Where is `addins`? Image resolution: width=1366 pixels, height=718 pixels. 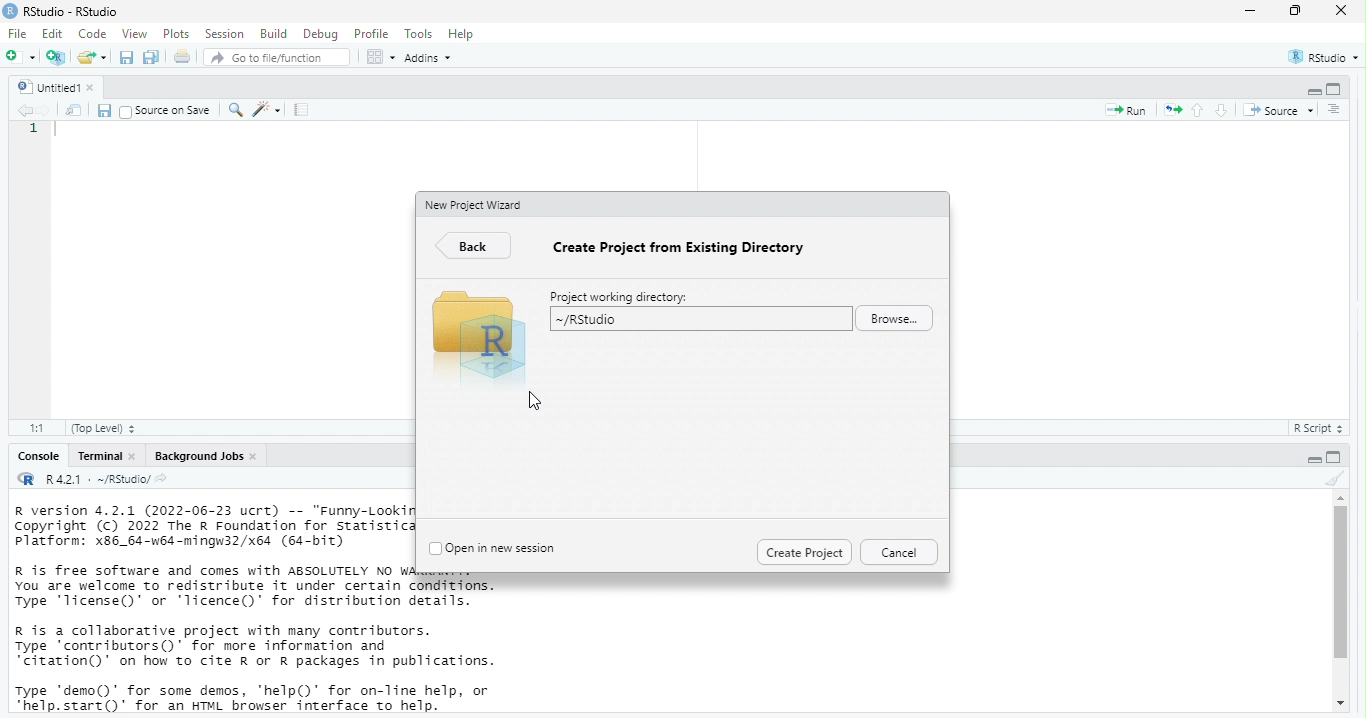 addins is located at coordinates (431, 56).